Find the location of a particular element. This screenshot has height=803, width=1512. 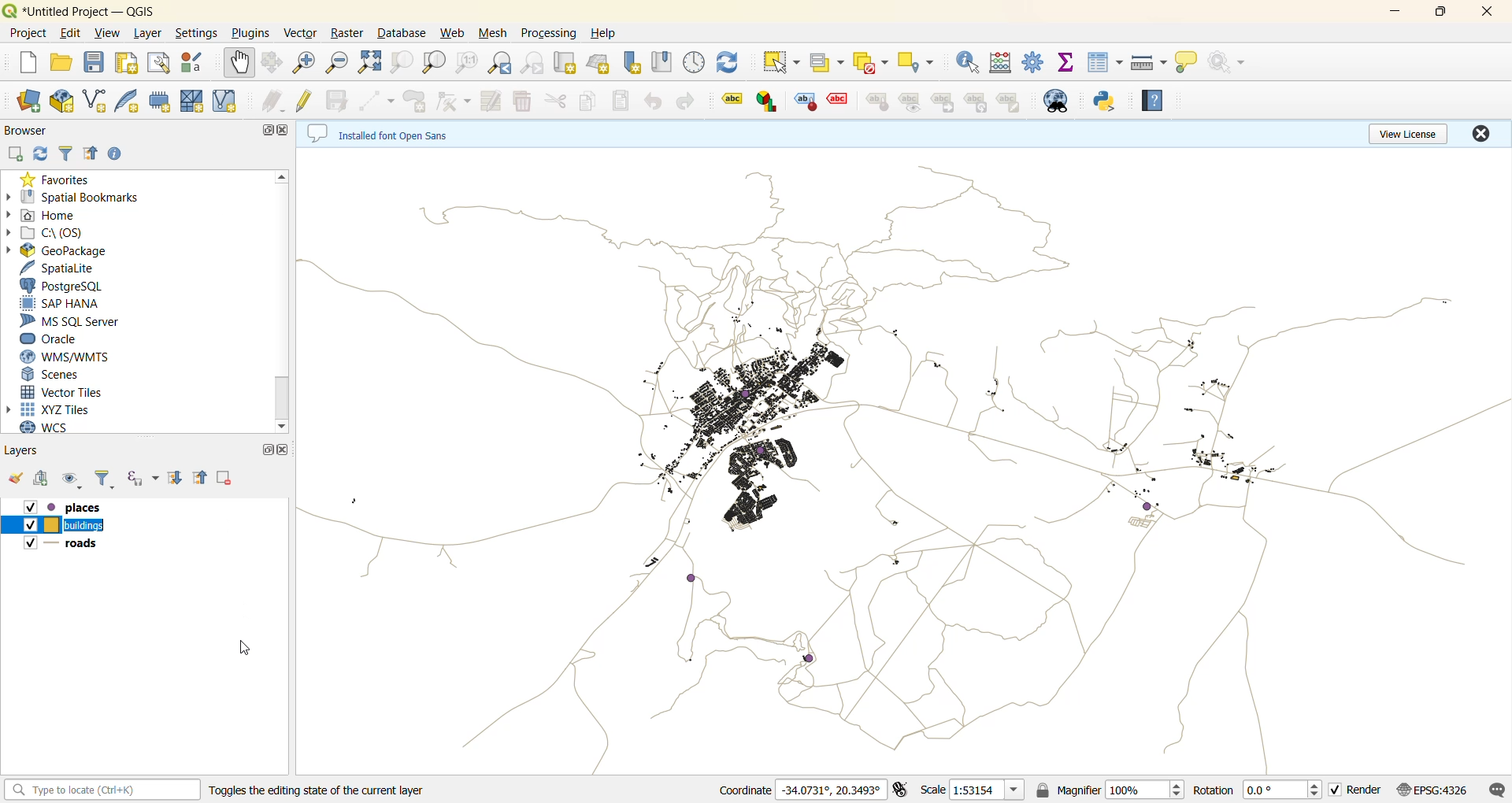

mesh is located at coordinates (495, 34).